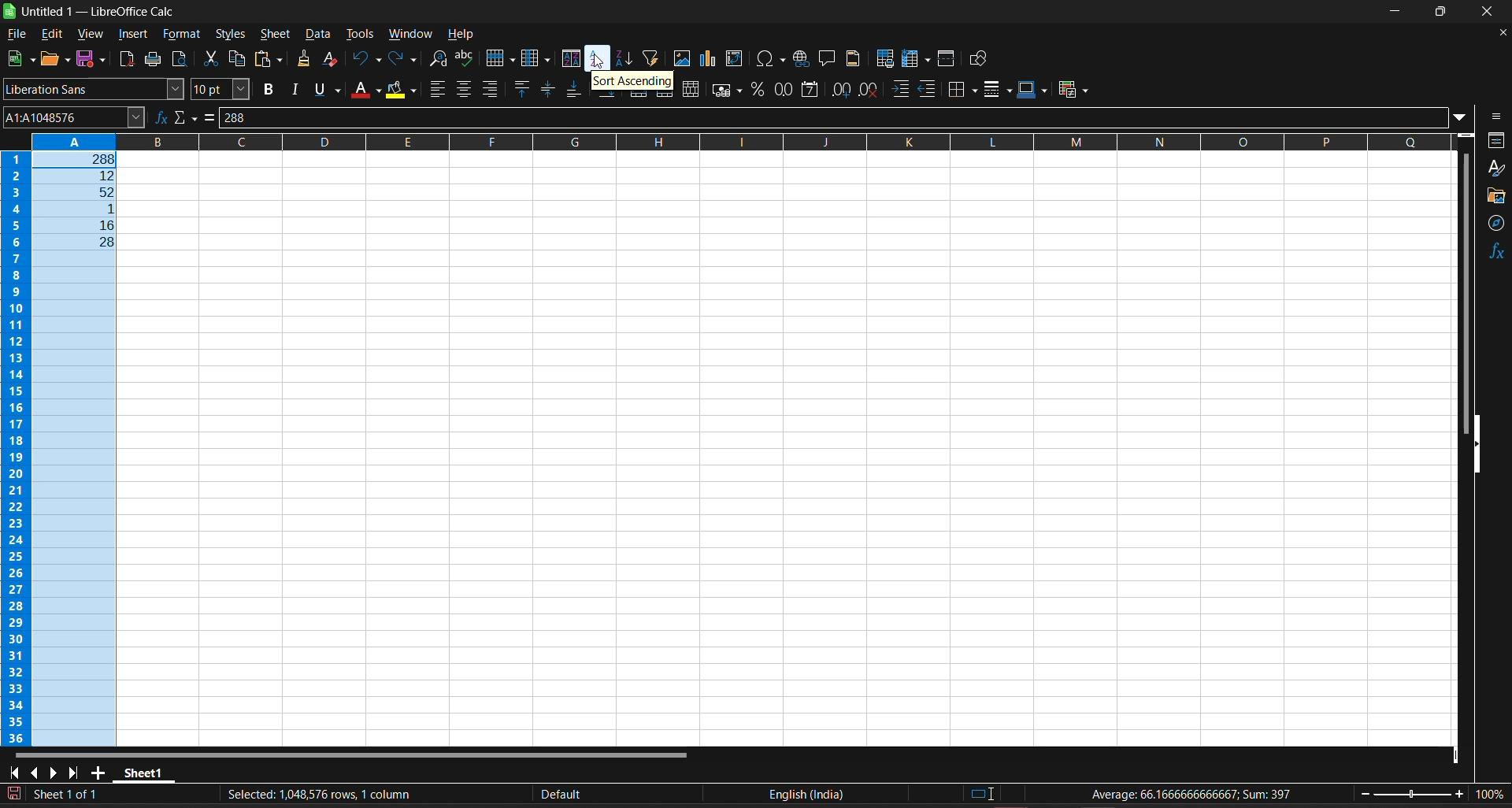 This screenshot has width=1512, height=808. What do you see at coordinates (461, 34) in the screenshot?
I see `help` at bounding box center [461, 34].